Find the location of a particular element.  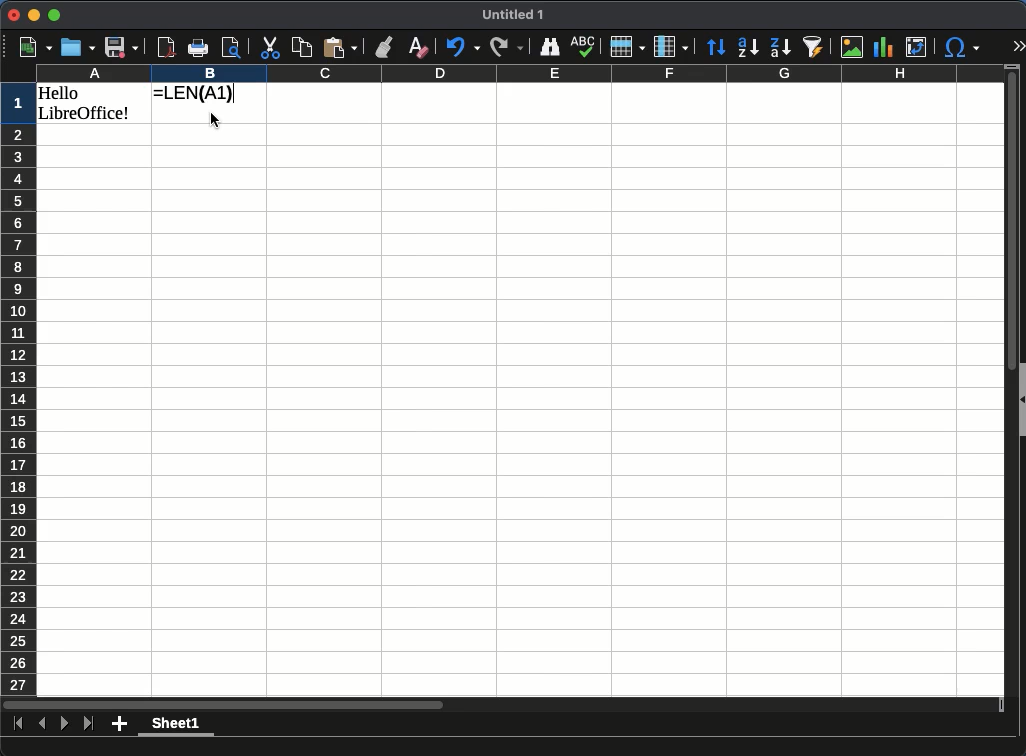

undo is located at coordinates (460, 44).